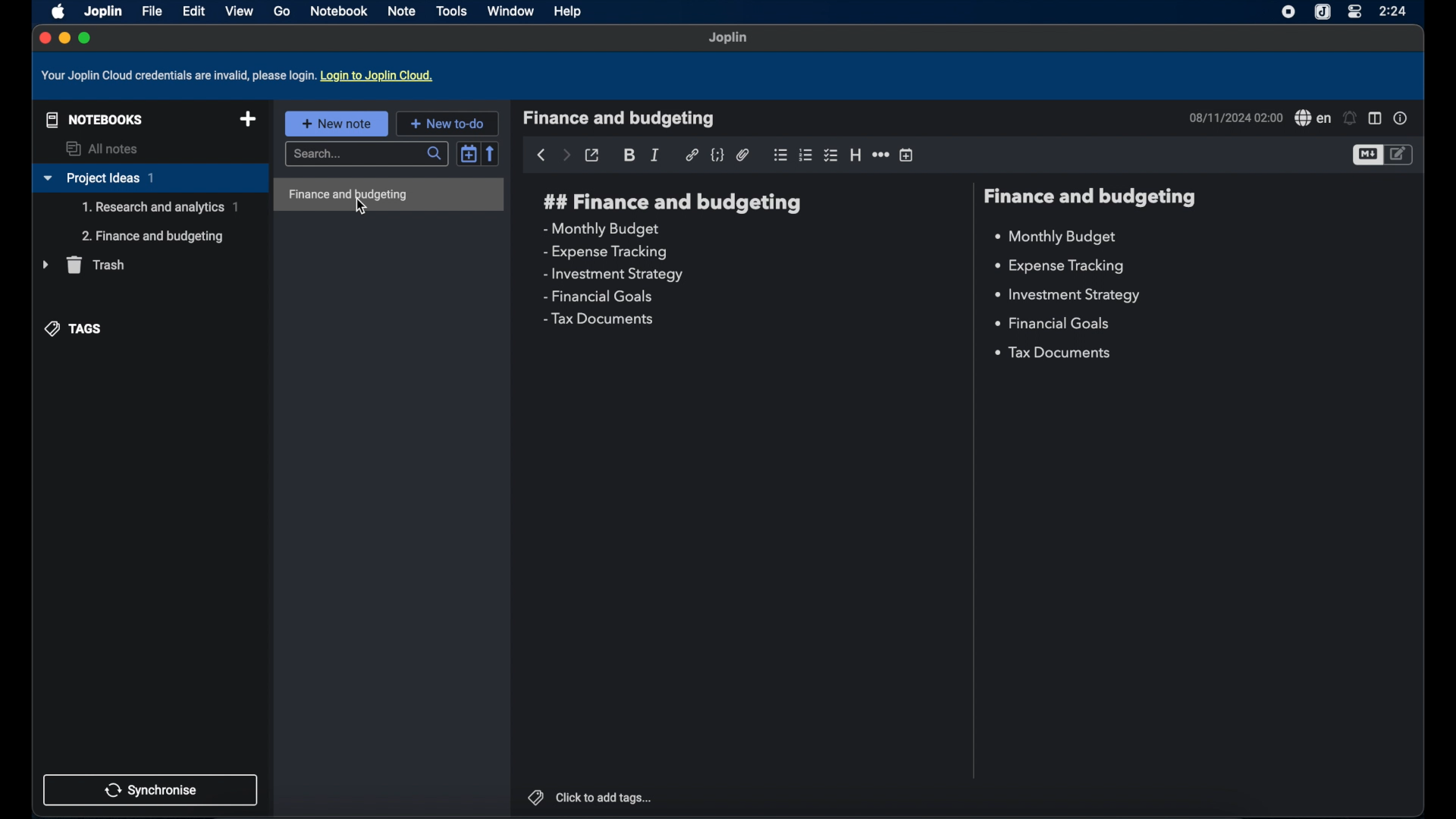 The height and width of the screenshot is (819, 1456). What do you see at coordinates (855, 155) in the screenshot?
I see `heading` at bounding box center [855, 155].